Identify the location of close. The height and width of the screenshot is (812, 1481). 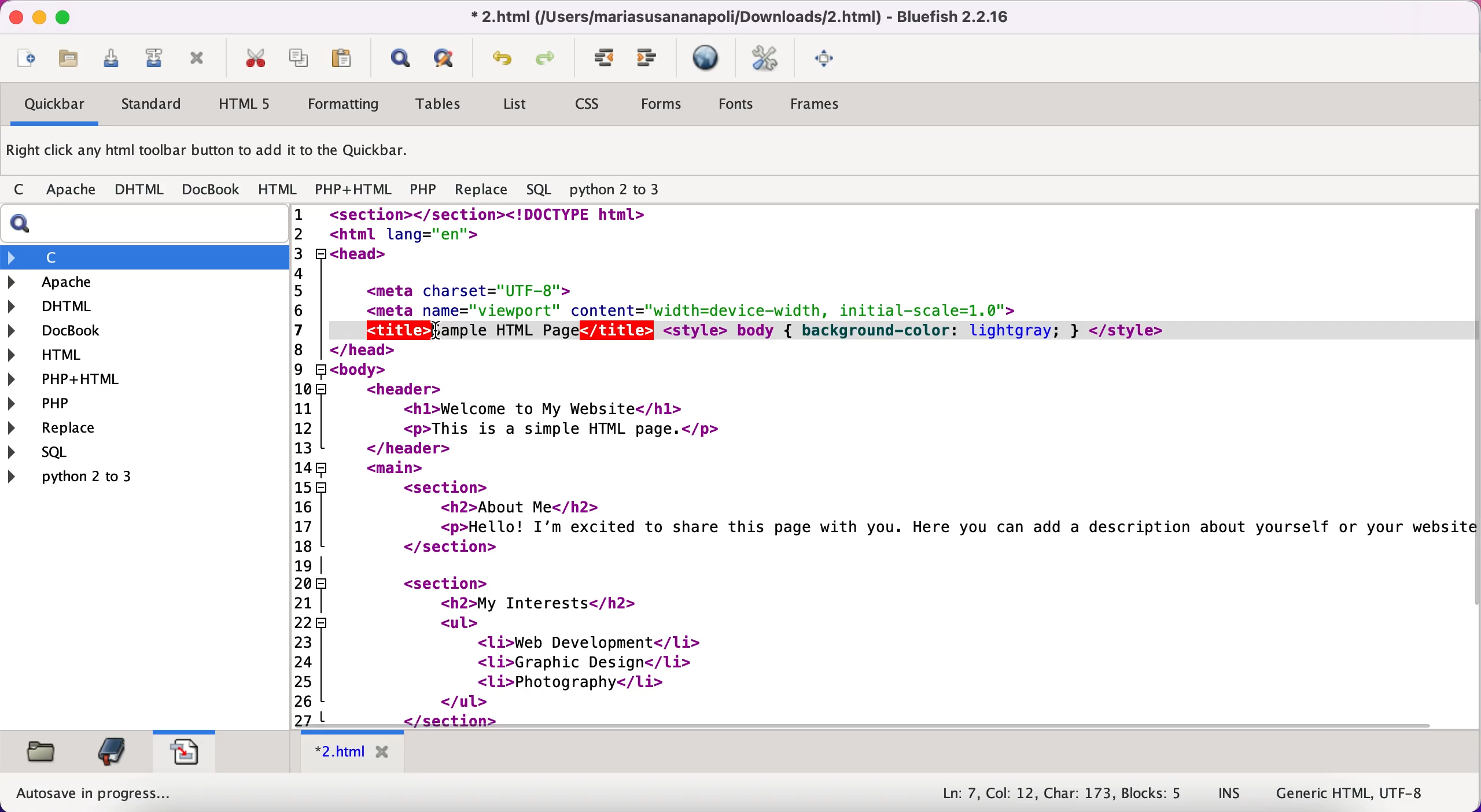
(13, 17).